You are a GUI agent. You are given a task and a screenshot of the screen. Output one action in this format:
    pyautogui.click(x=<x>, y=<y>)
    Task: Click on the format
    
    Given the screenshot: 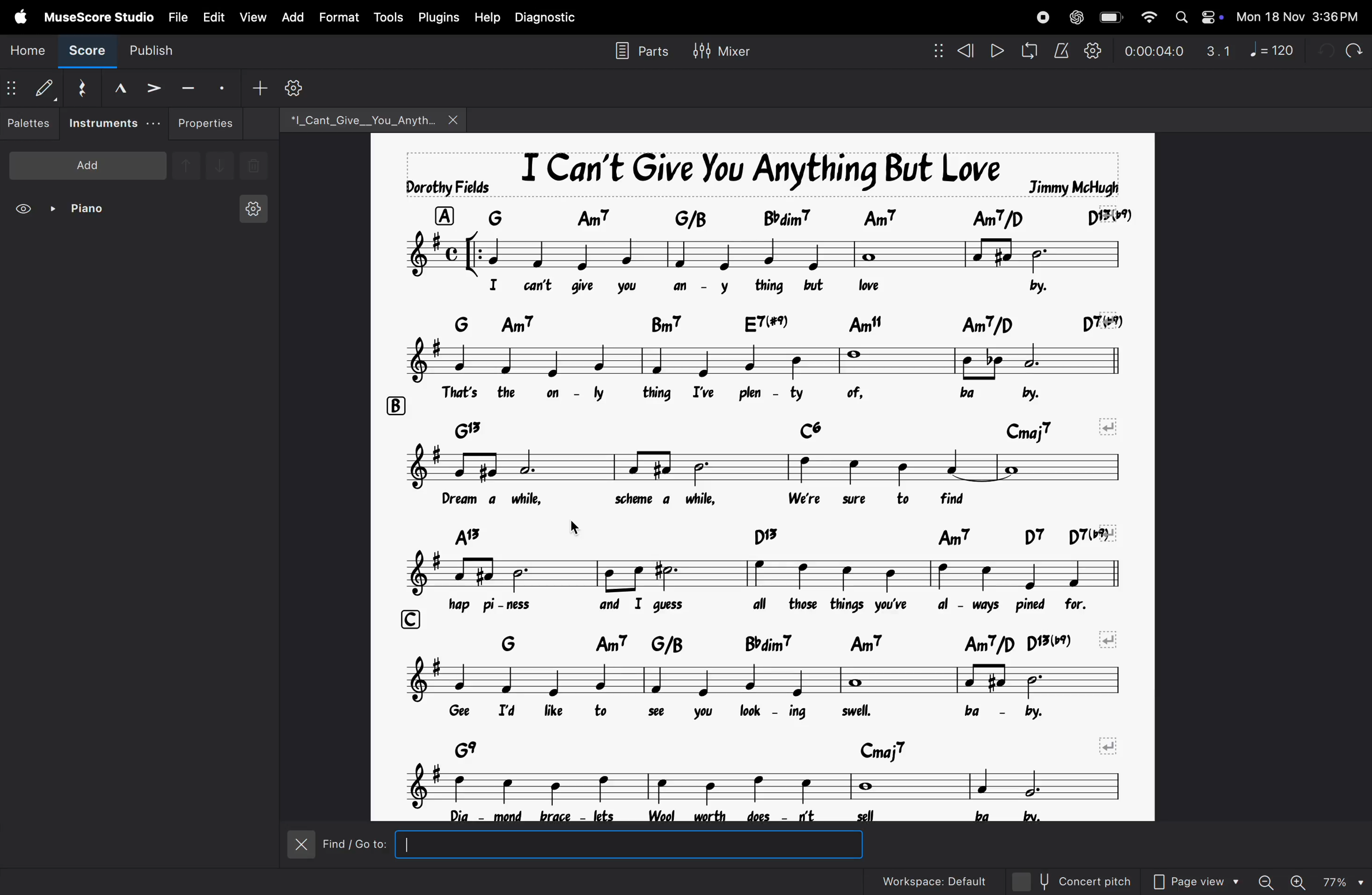 What is the action you would take?
    pyautogui.click(x=339, y=18)
    